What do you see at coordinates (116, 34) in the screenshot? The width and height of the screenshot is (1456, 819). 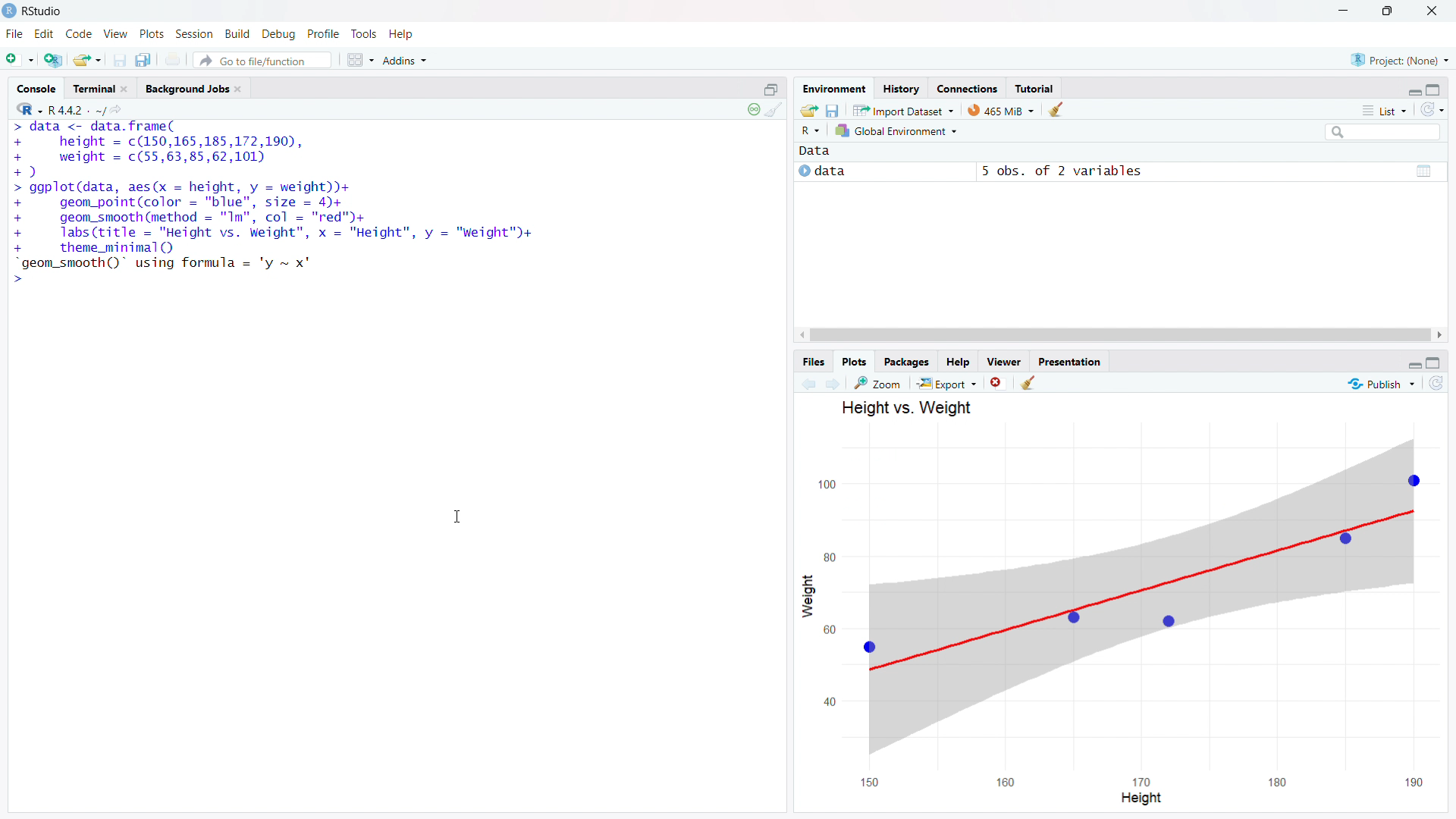 I see `view` at bounding box center [116, 34].